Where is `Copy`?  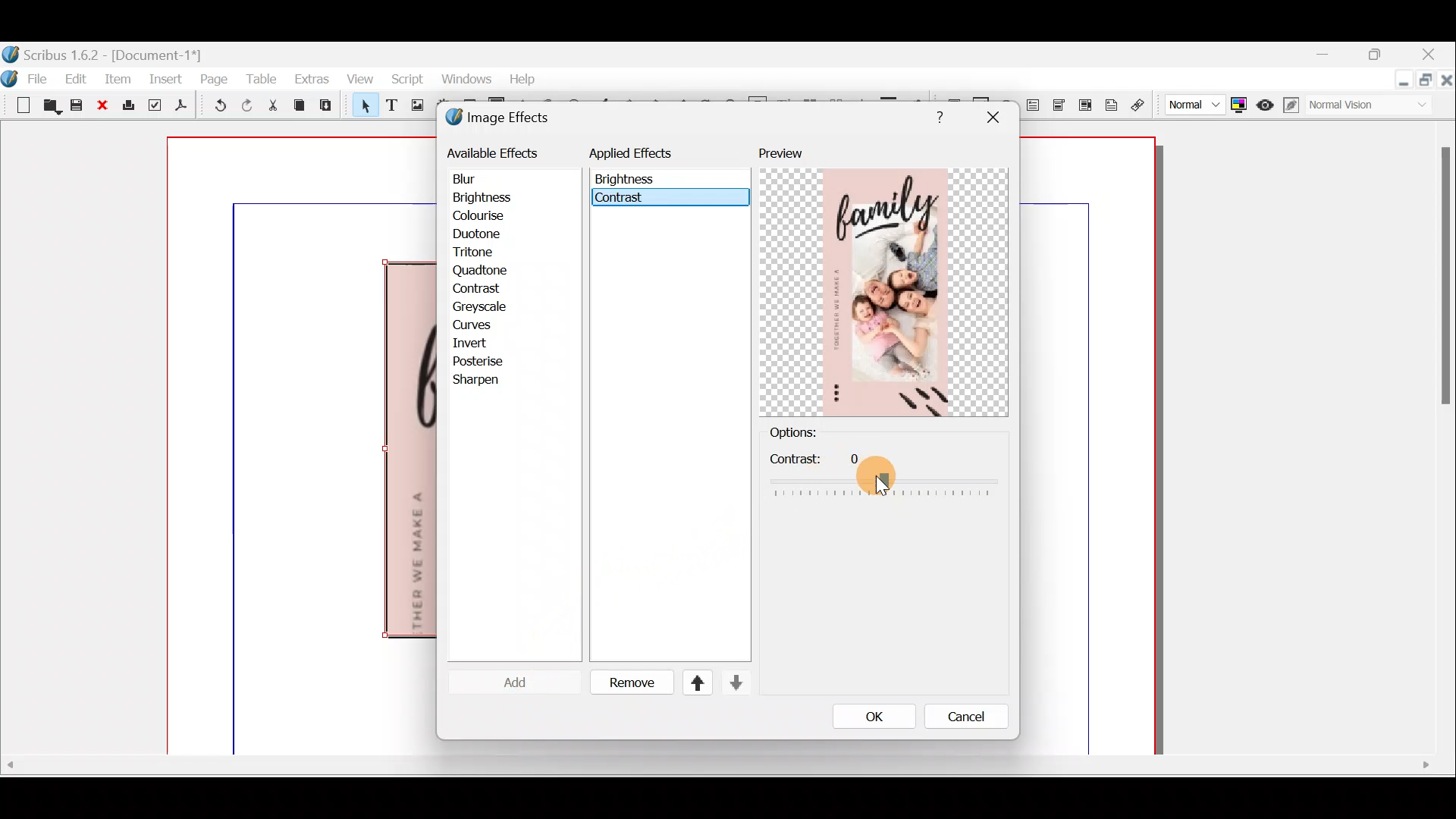 Copy is located at coordinates (300, 105).